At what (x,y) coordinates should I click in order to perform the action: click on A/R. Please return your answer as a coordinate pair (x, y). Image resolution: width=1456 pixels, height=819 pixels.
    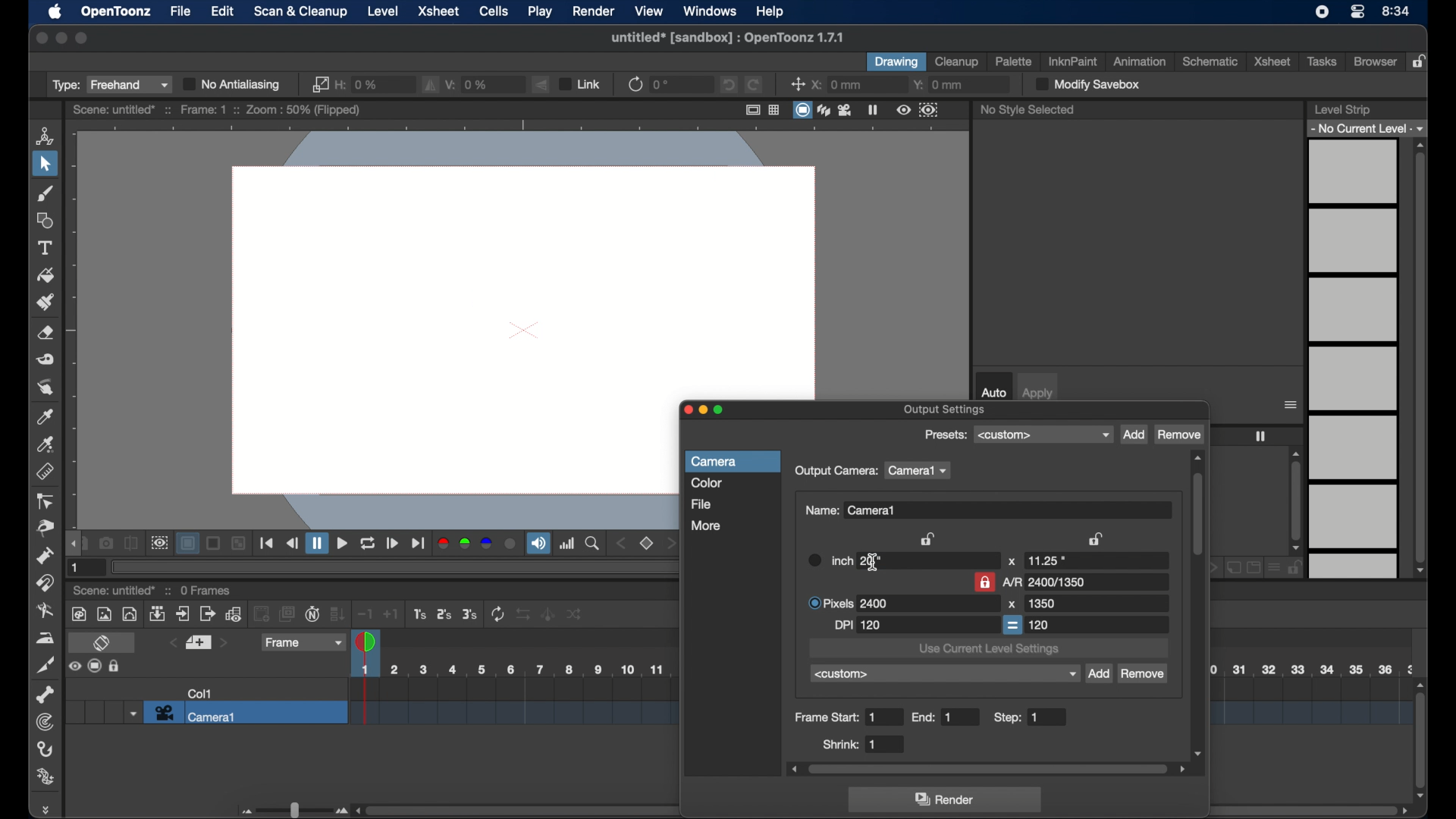
    Looking at the image, I should click on (1046, 582).